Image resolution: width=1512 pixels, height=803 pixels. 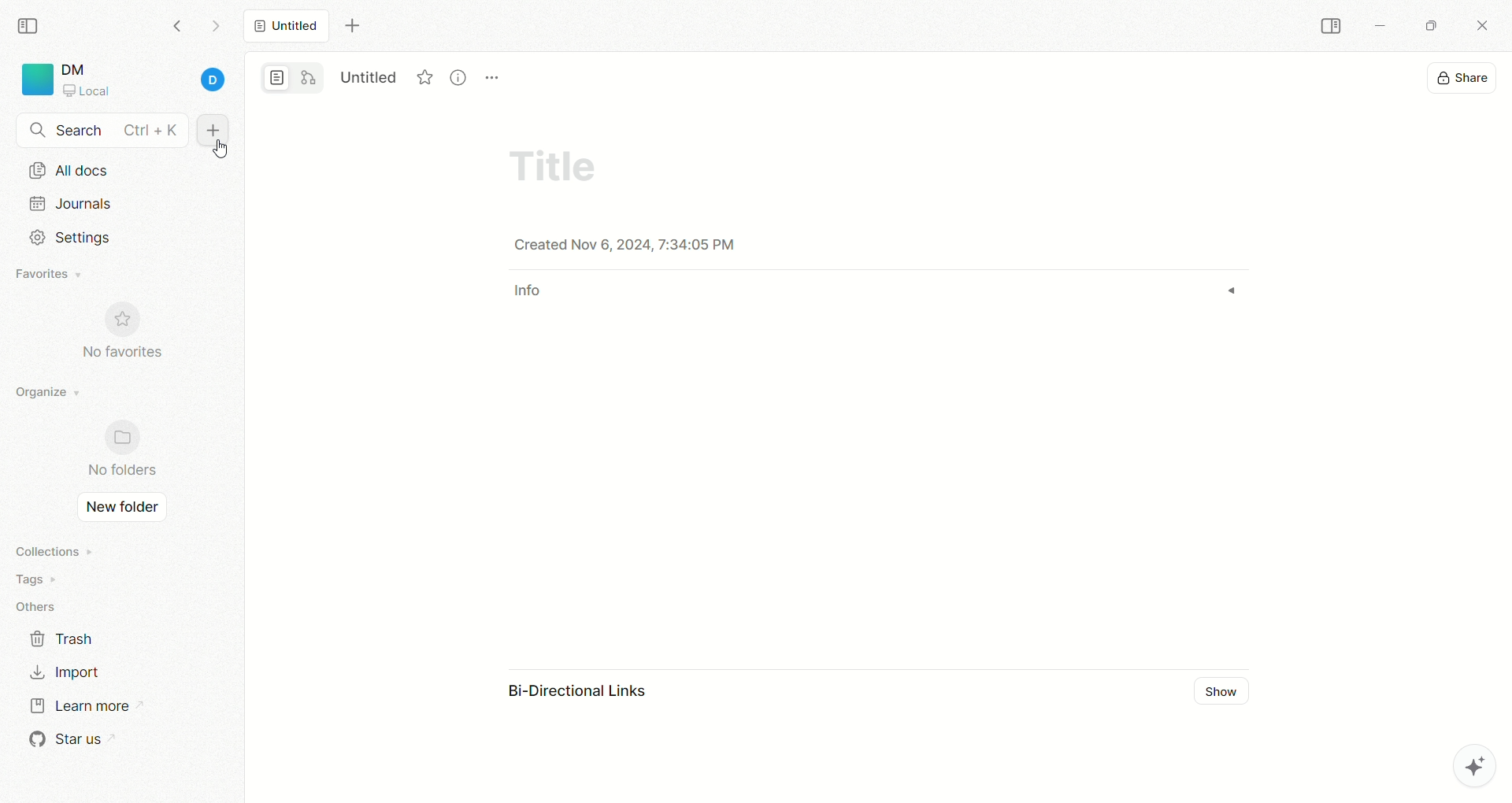 What do you see at coordinates (147, 81) in the screenshot?
I see `account details` at bounding box center [147, 81].